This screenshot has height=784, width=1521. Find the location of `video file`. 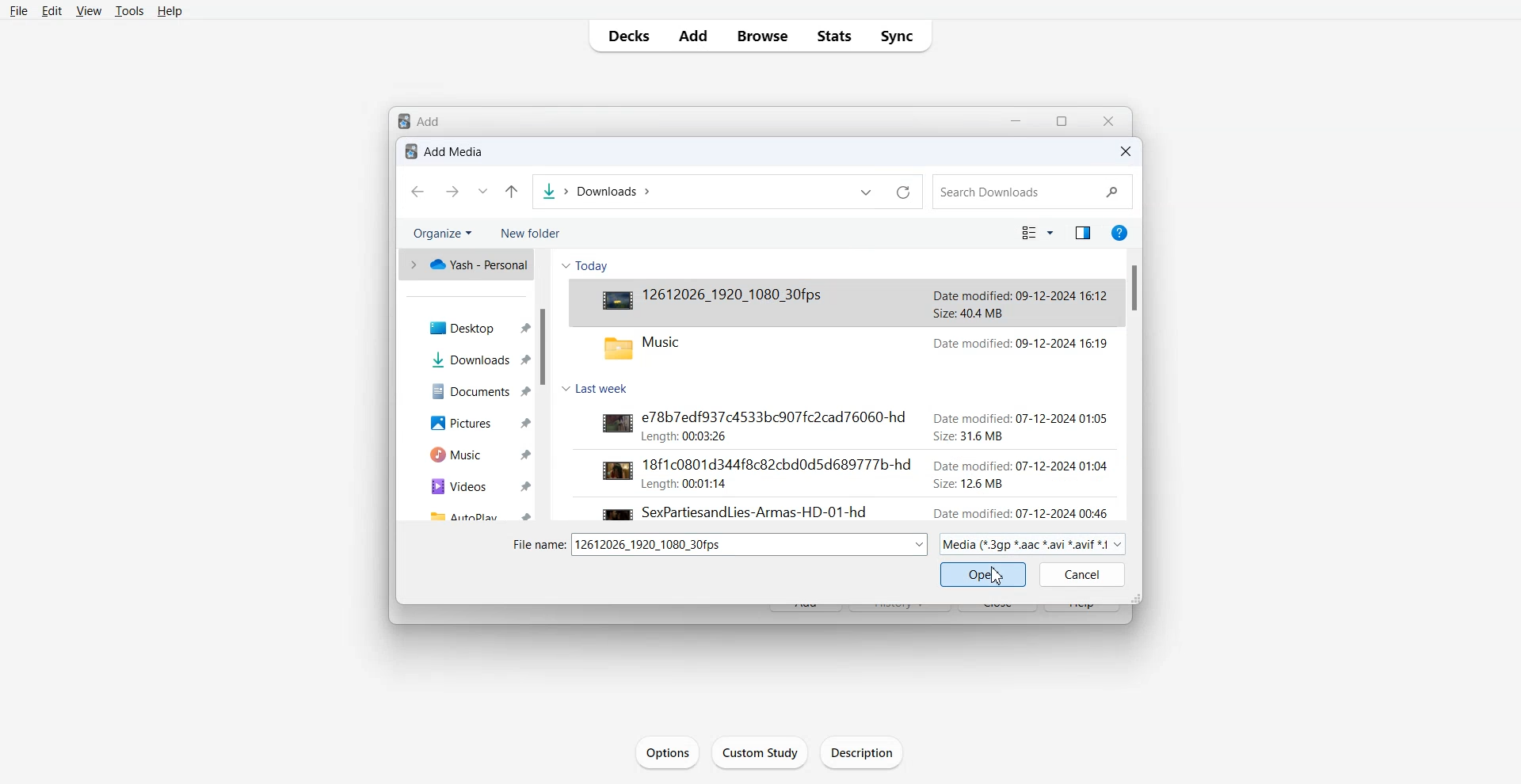

video file is located at coordinates (746, 472).